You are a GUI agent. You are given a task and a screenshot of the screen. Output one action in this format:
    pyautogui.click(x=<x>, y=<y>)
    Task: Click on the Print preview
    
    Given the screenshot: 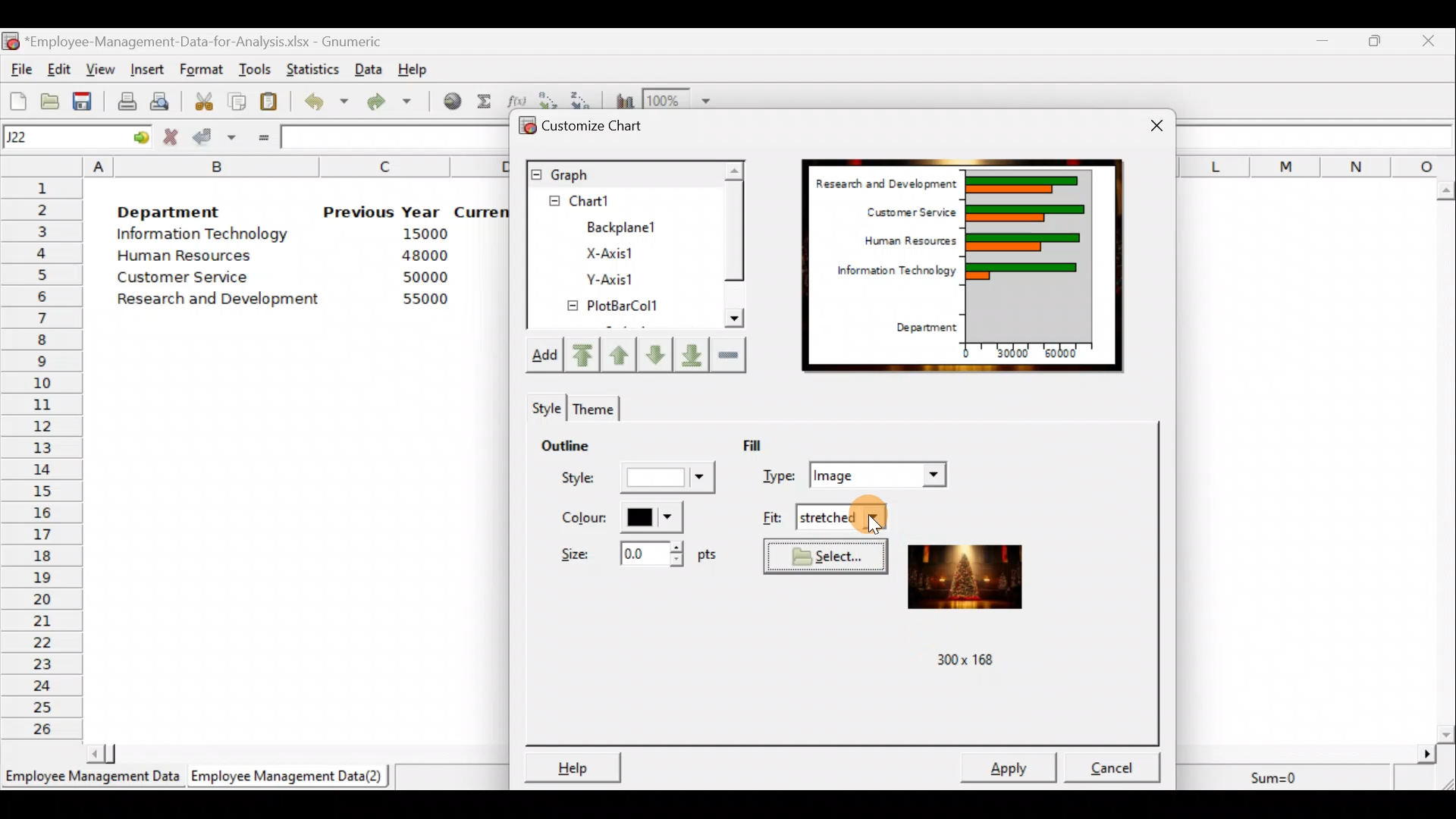 What is the action you would take?
    pyautogui.click(x=161, y=101)
    